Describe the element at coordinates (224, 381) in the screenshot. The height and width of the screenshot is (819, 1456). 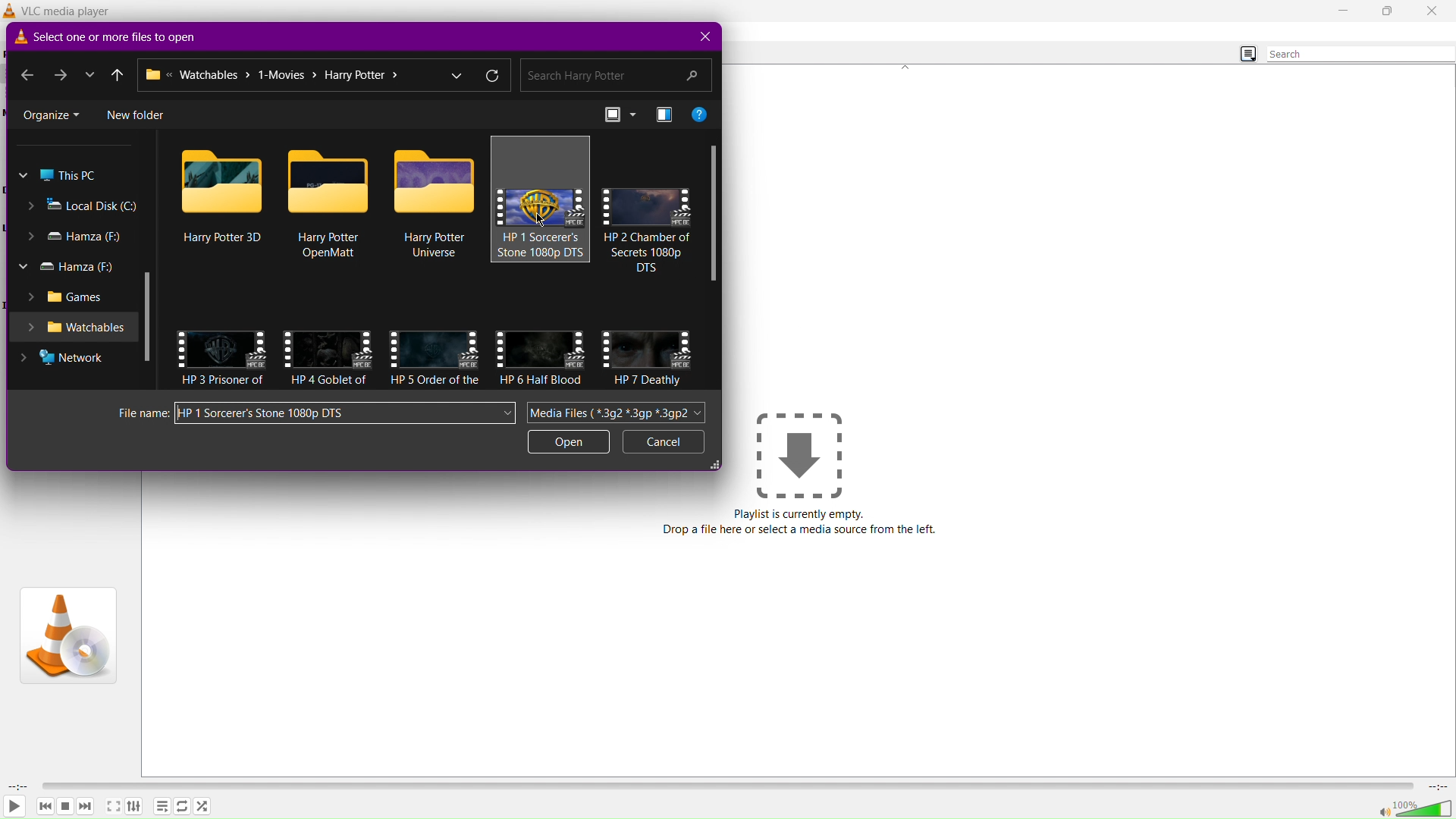
I see `harry potter ` at that location.